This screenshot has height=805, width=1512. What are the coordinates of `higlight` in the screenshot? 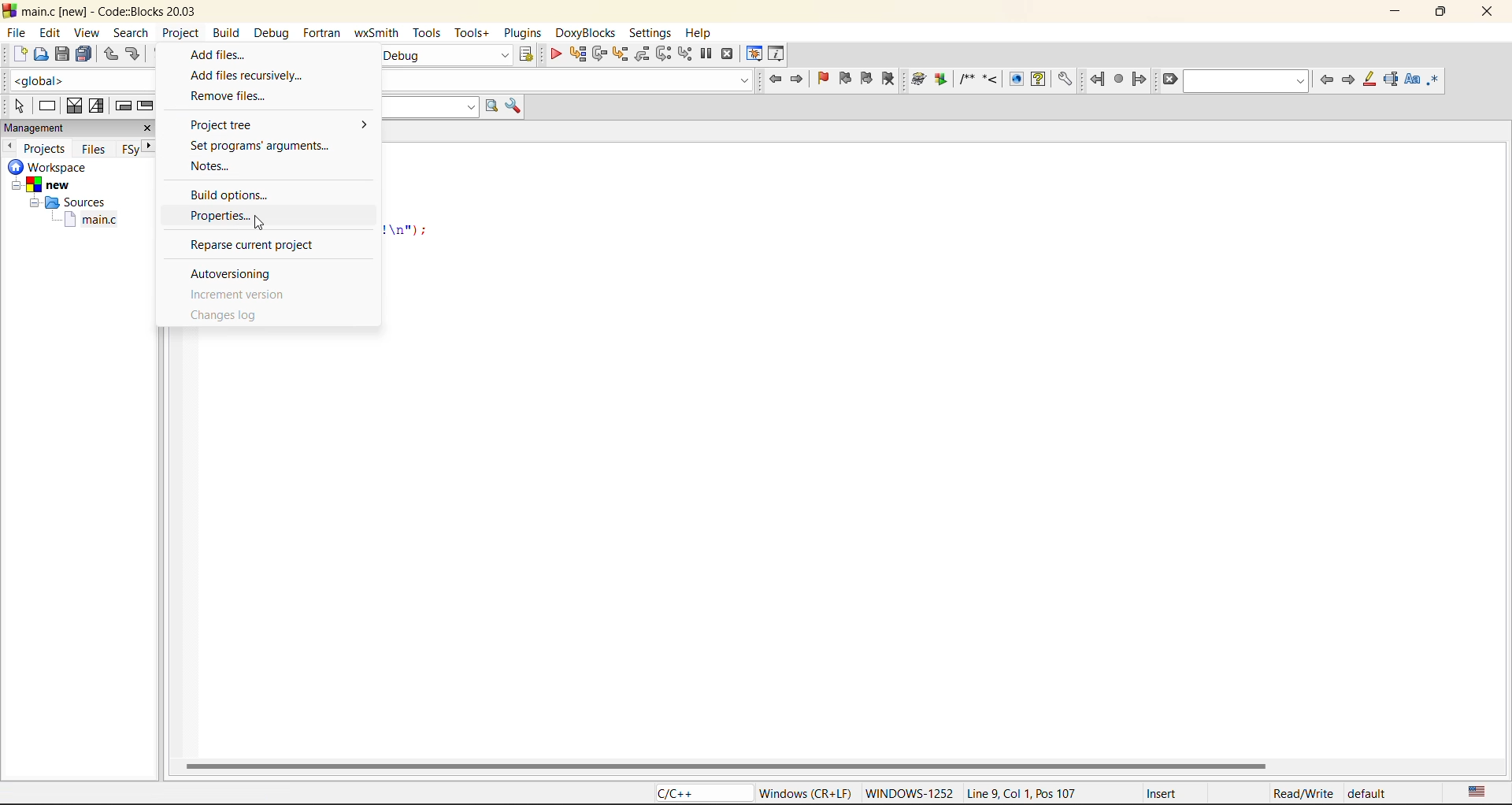 It's located at (1370, 80).